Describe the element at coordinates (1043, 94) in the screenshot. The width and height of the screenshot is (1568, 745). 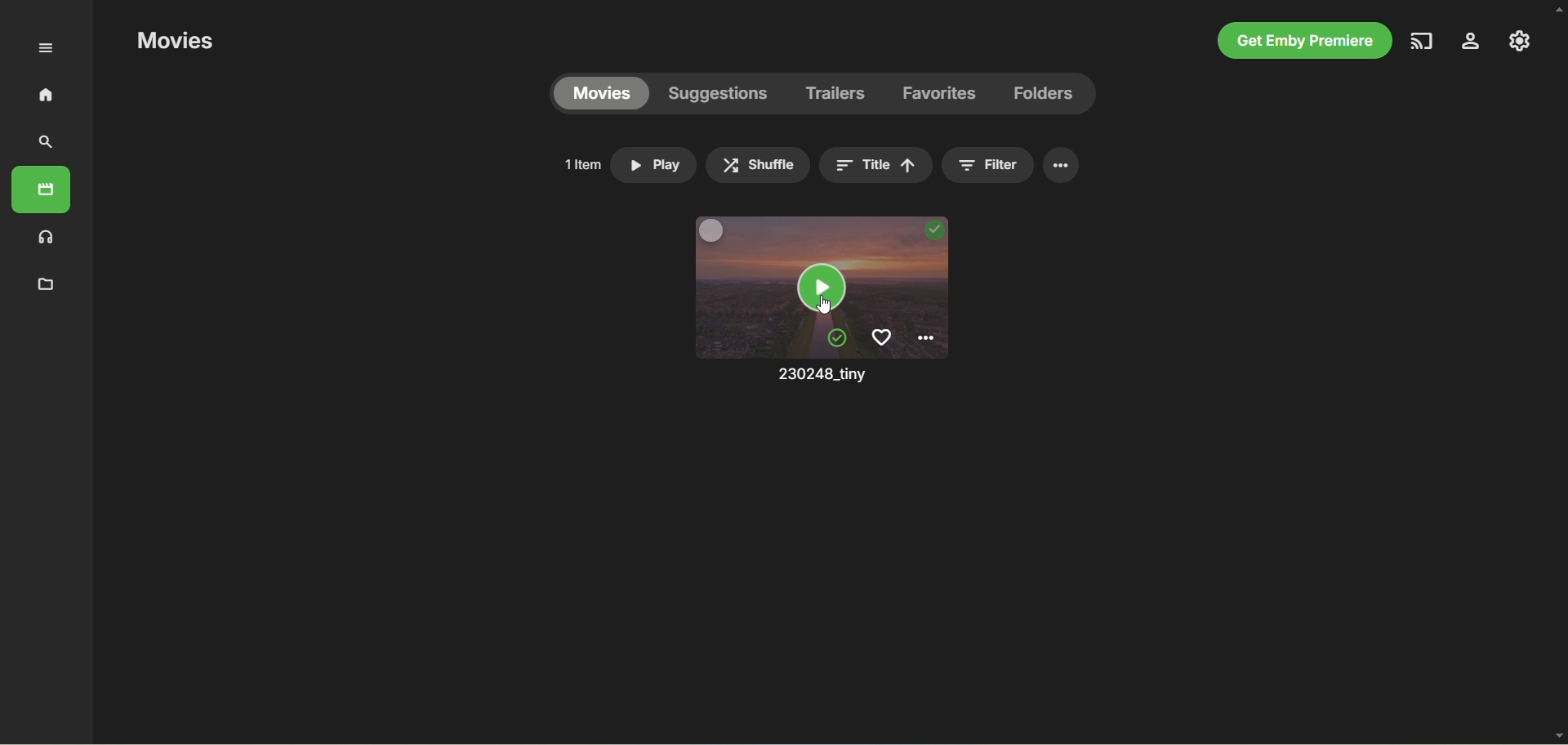
I see `folders` at that location.